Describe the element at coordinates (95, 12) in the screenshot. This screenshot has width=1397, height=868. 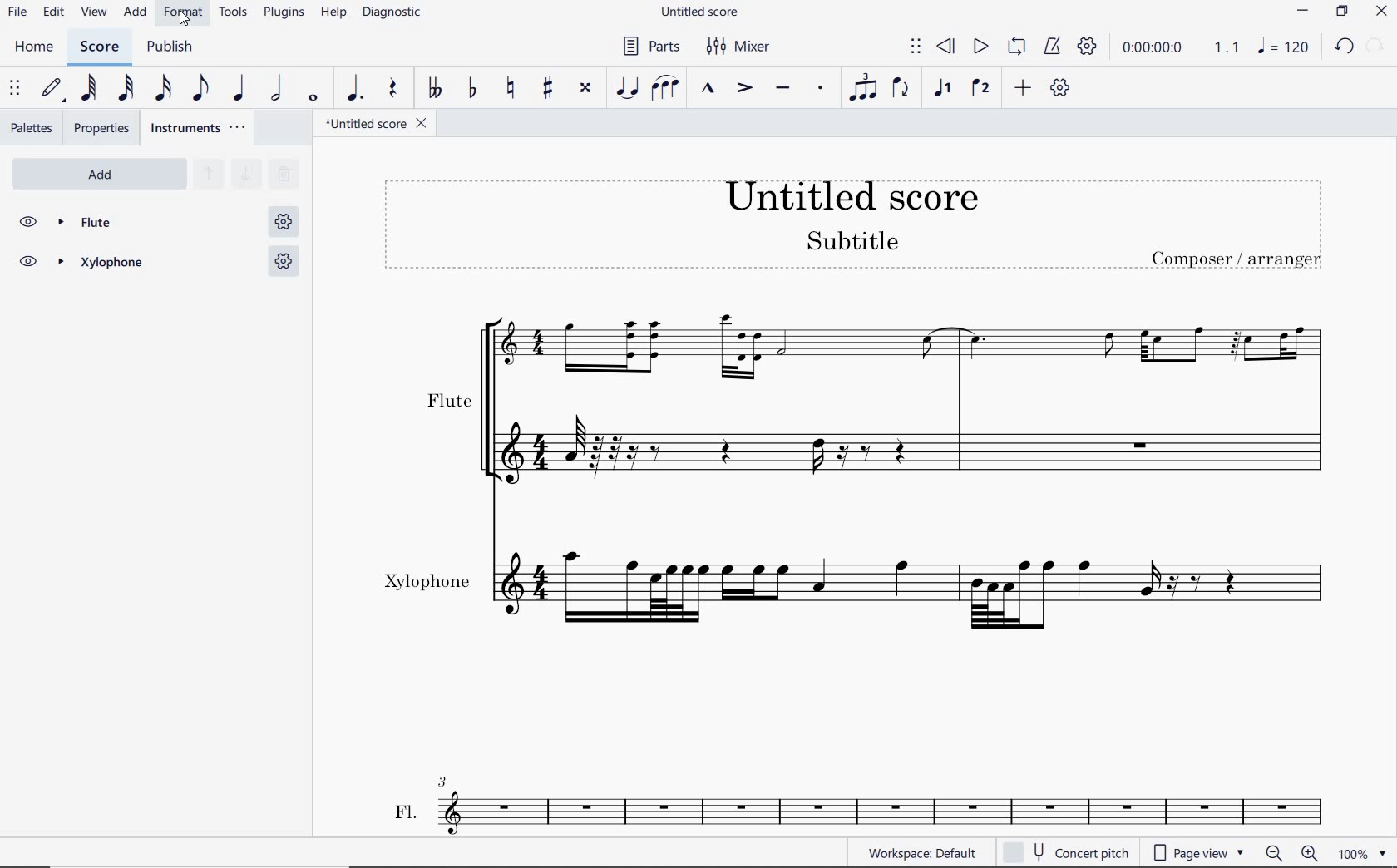
I see `VIEW` at that location.